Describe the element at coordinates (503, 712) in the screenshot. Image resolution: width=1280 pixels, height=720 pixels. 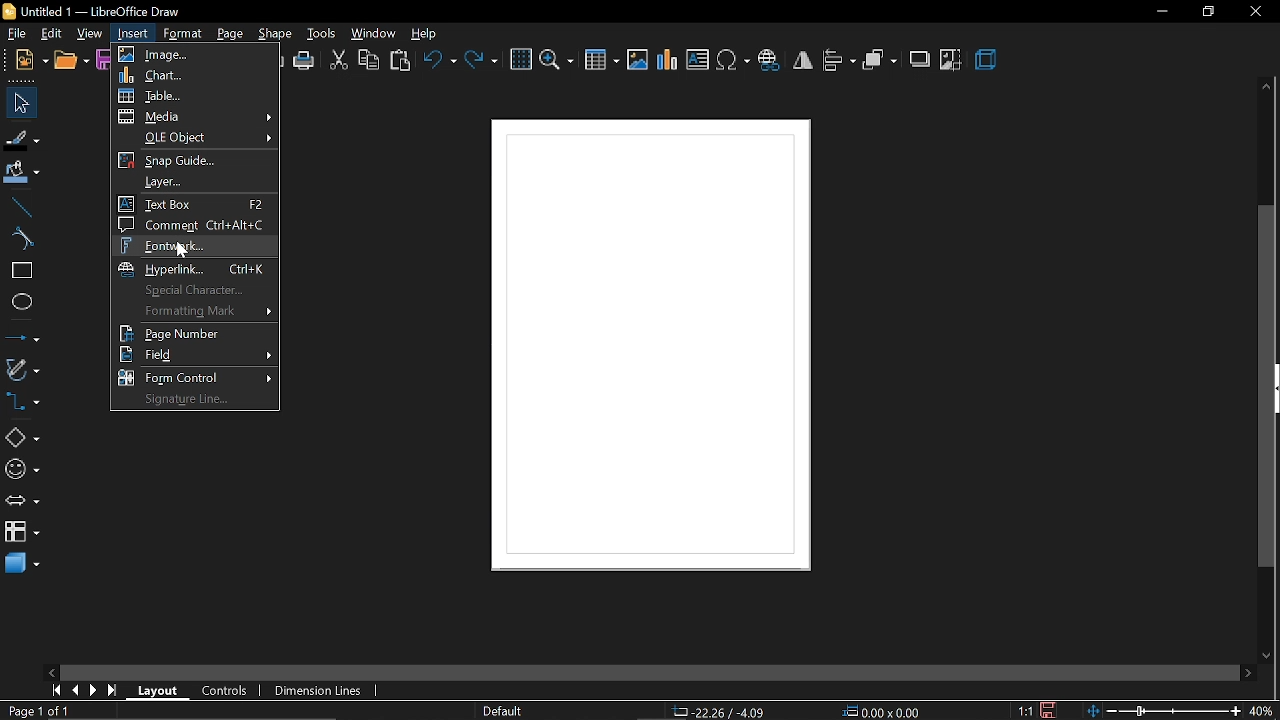
I see `Default` at that location.